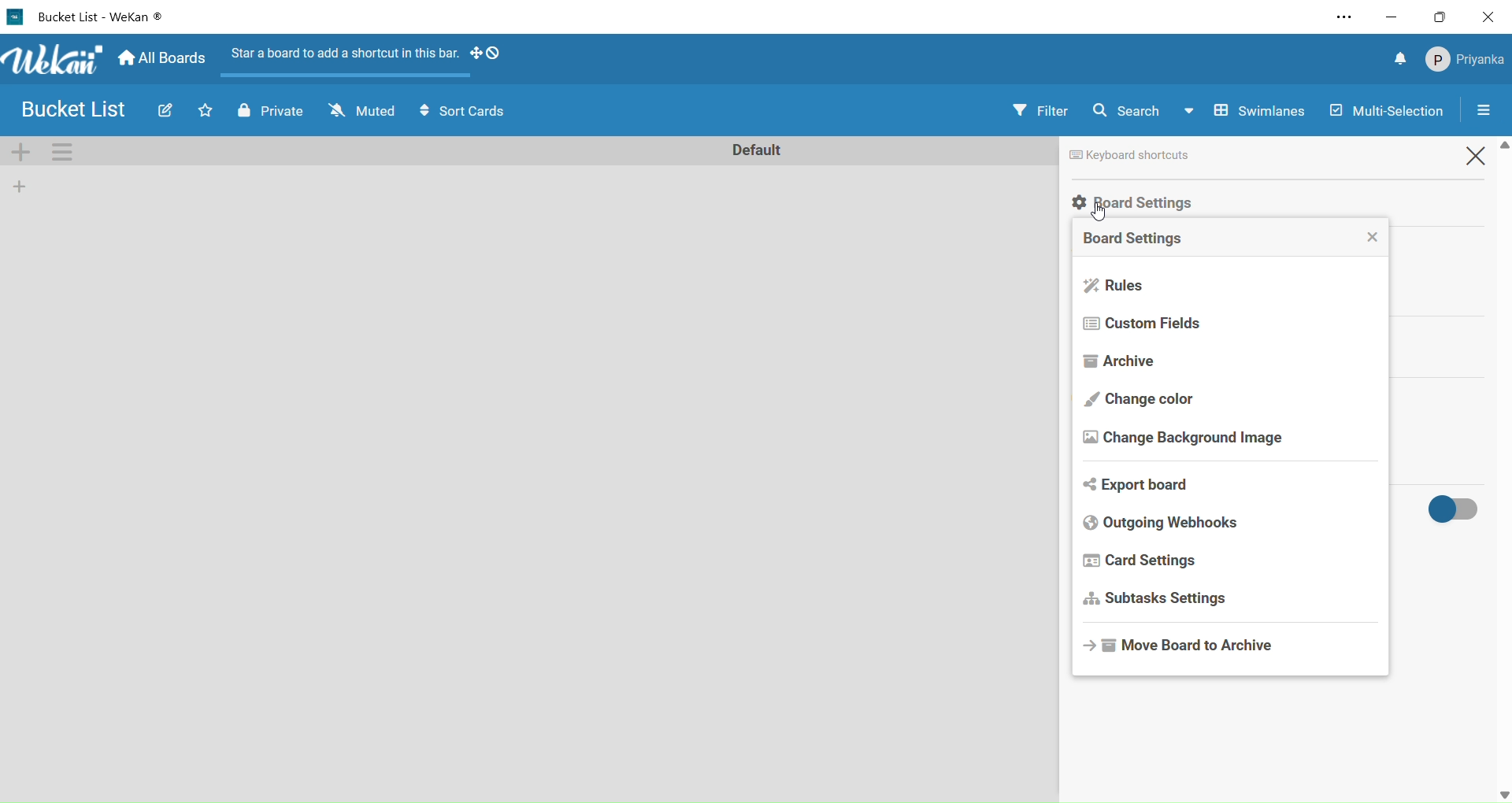 The height and width of the screenshot is (803, 1512). Describe the element at coordinates (1231, 647) in the screenshot. I see `move board to archive` at that location.